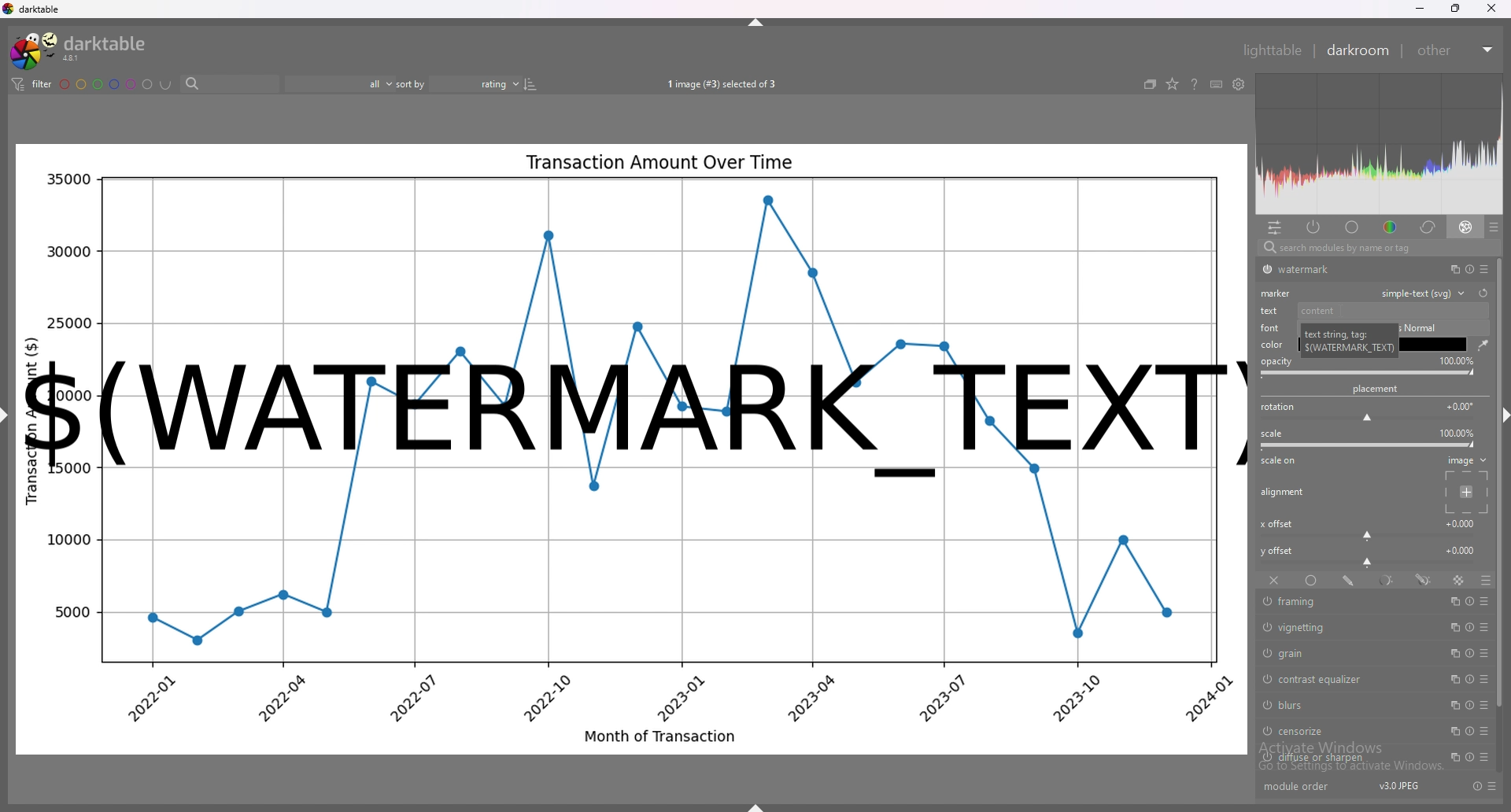 Image resolution: width=1511 pixels, height=812 pixels. What do you see at coordinates (1304, 788) in the screenshot?
I see `module order` at bounding box center [1304, 788].